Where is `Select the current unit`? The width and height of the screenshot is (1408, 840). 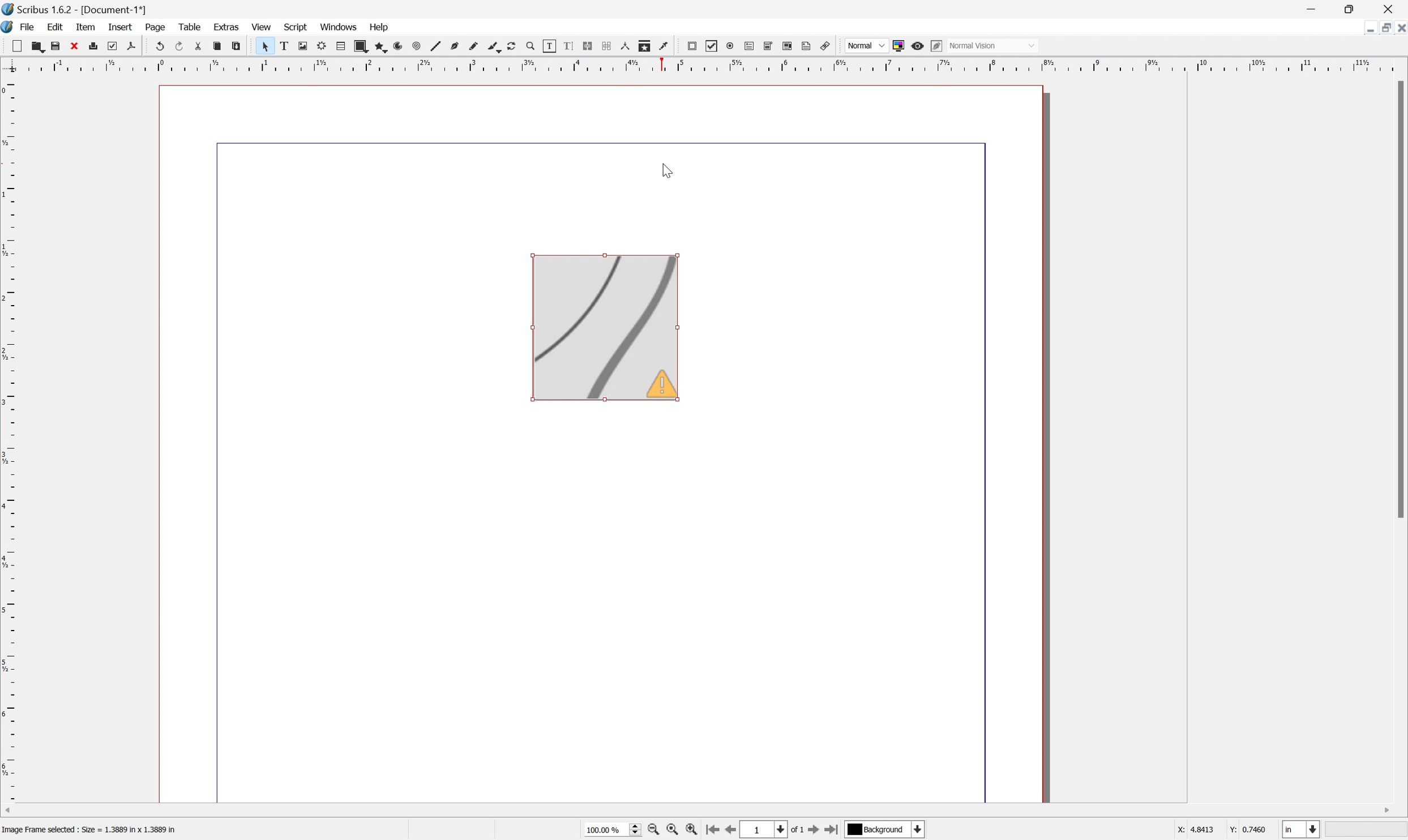
Select the current unit is located at coordinates (1300, 830).